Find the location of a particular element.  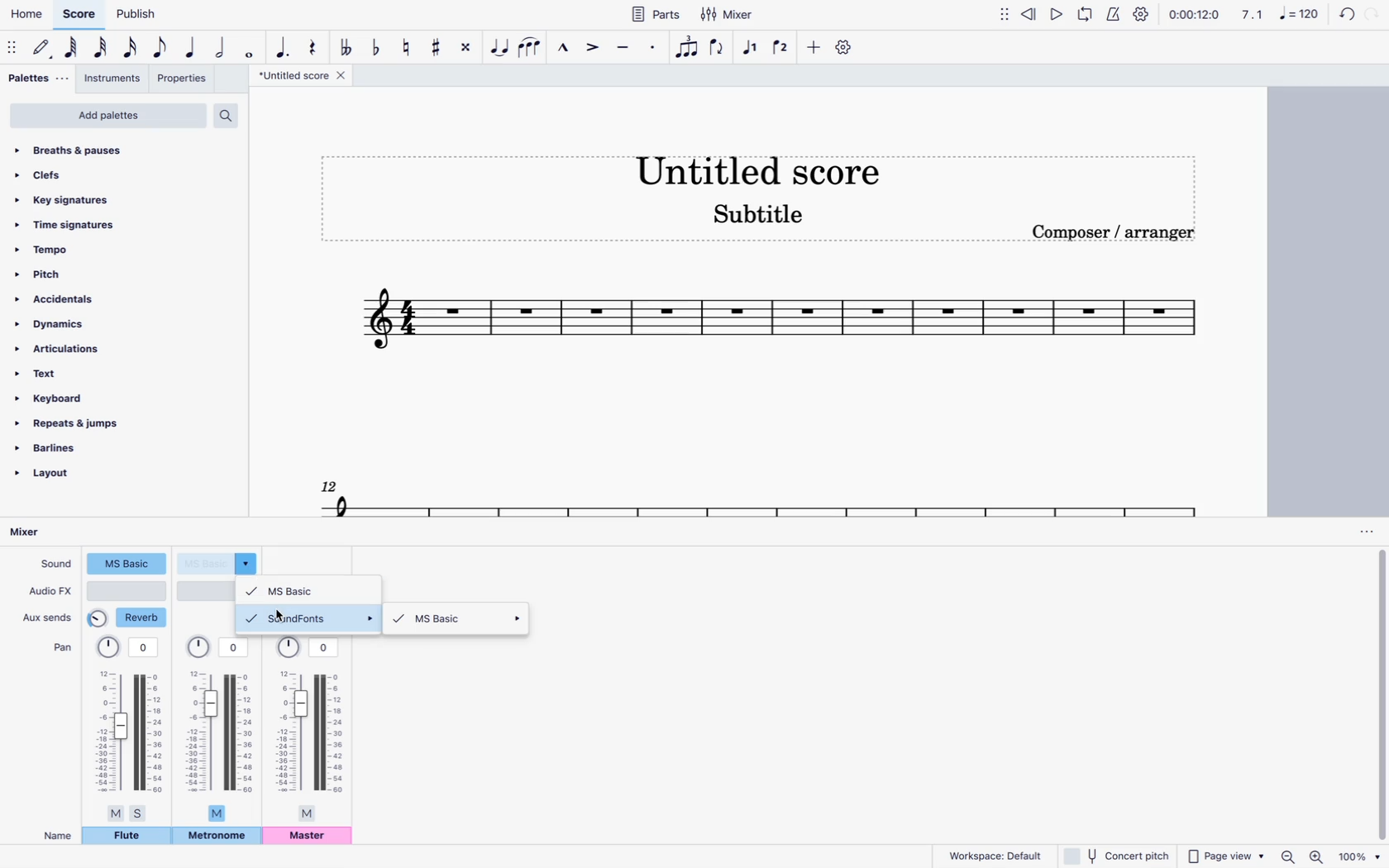

sound type is located at coordinates (220, 562).